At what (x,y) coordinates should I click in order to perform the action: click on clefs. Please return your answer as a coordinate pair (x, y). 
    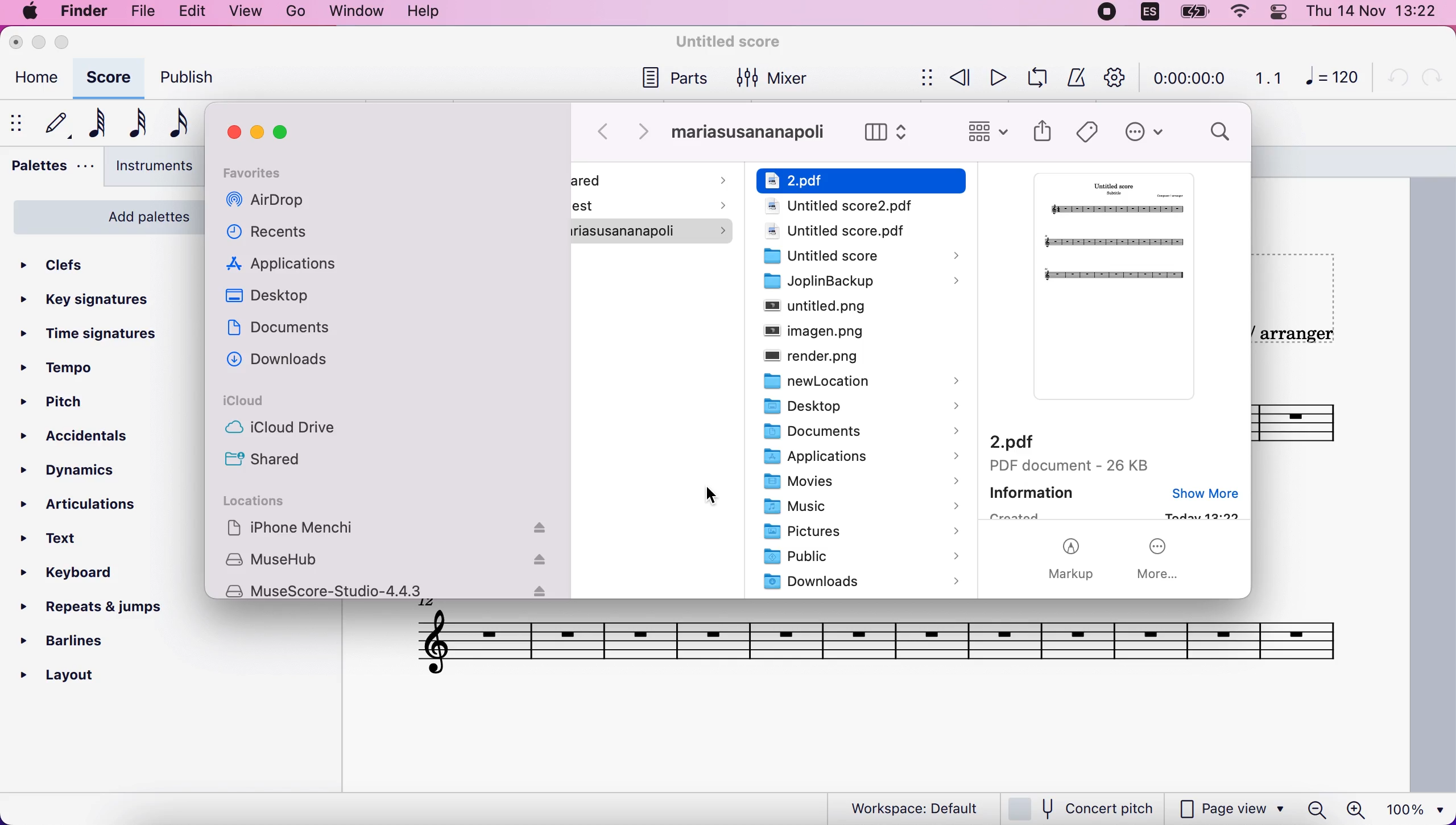
    Looking at the image, I should click on (71, 265).